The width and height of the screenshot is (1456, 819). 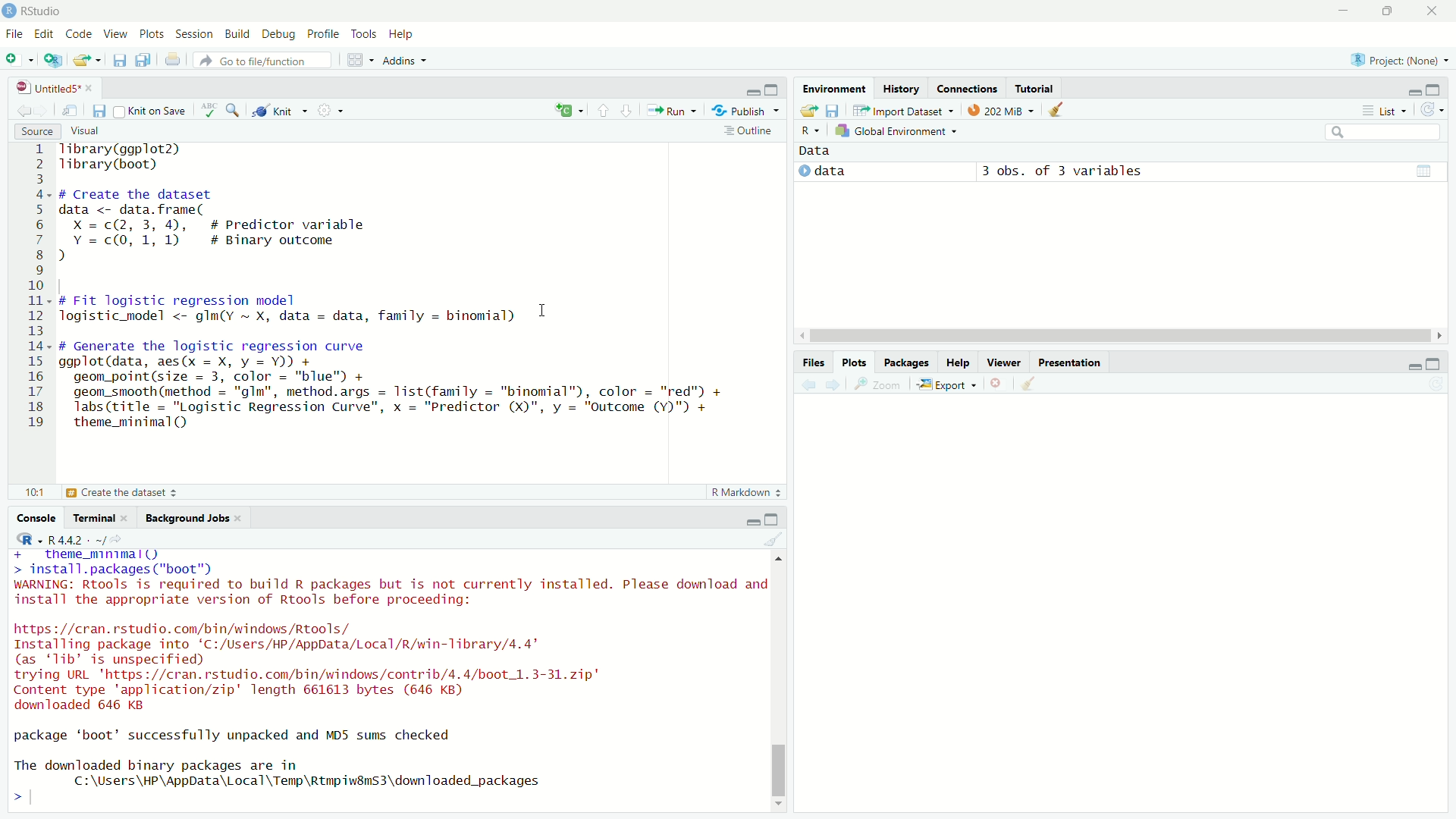 What do you see at coordinates (124, 518) in the screenshot?
I see `close` at bounding box center [124, 518].